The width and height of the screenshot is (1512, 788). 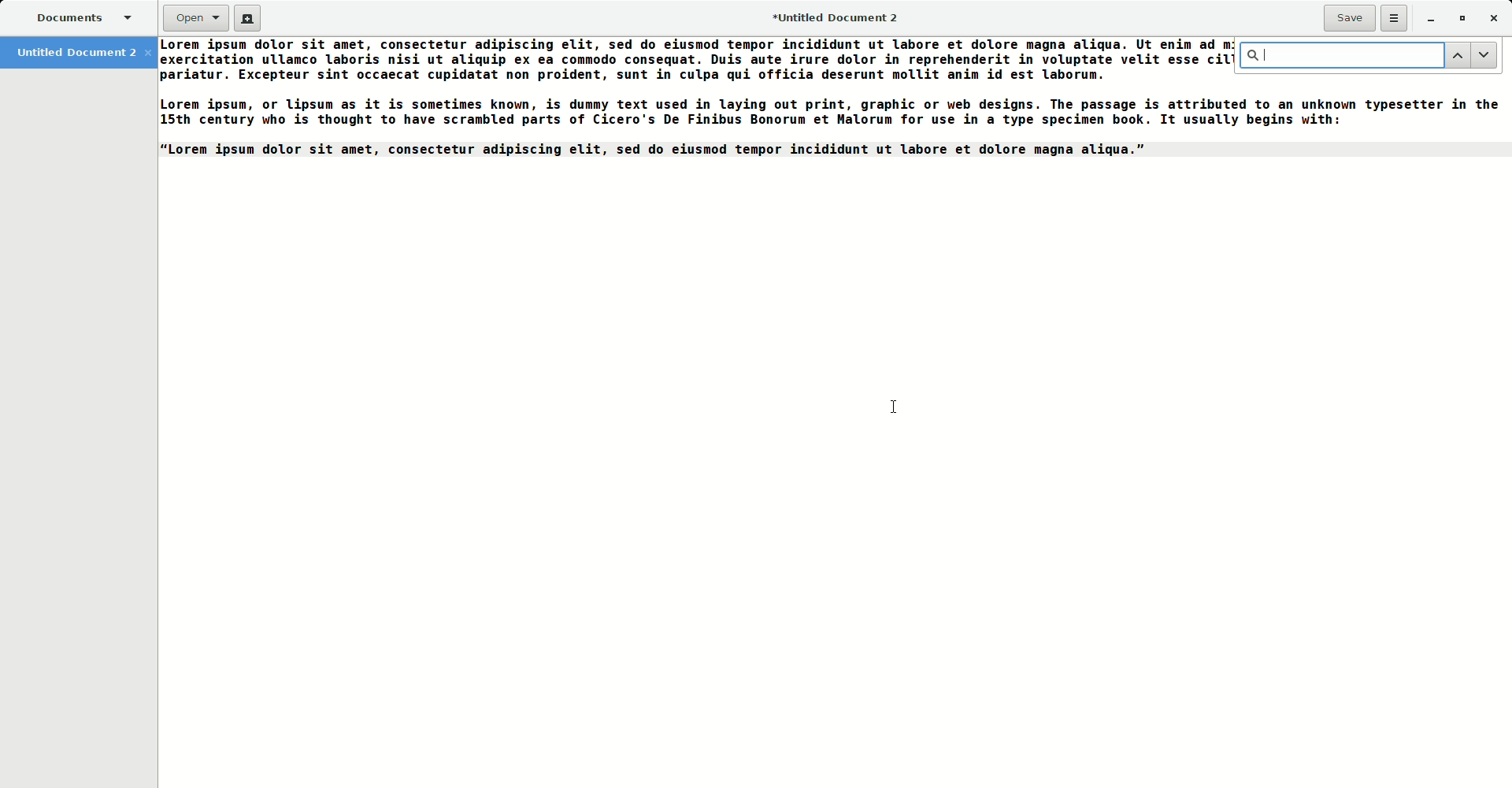 I want to click on Paragraphs, so click(x=1363, y=117).